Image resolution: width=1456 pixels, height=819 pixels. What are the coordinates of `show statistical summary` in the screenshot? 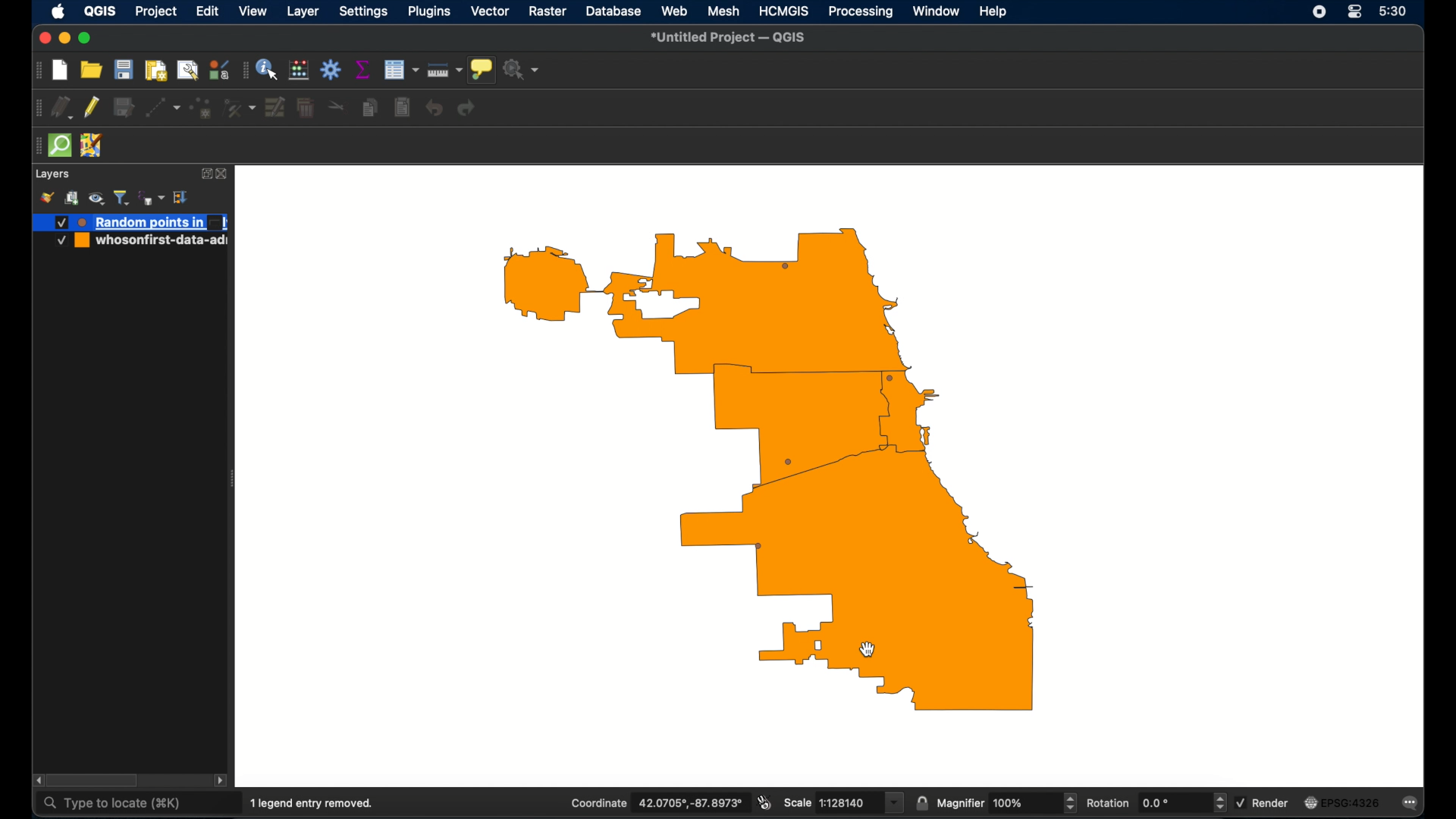 It's located at (362, 69).